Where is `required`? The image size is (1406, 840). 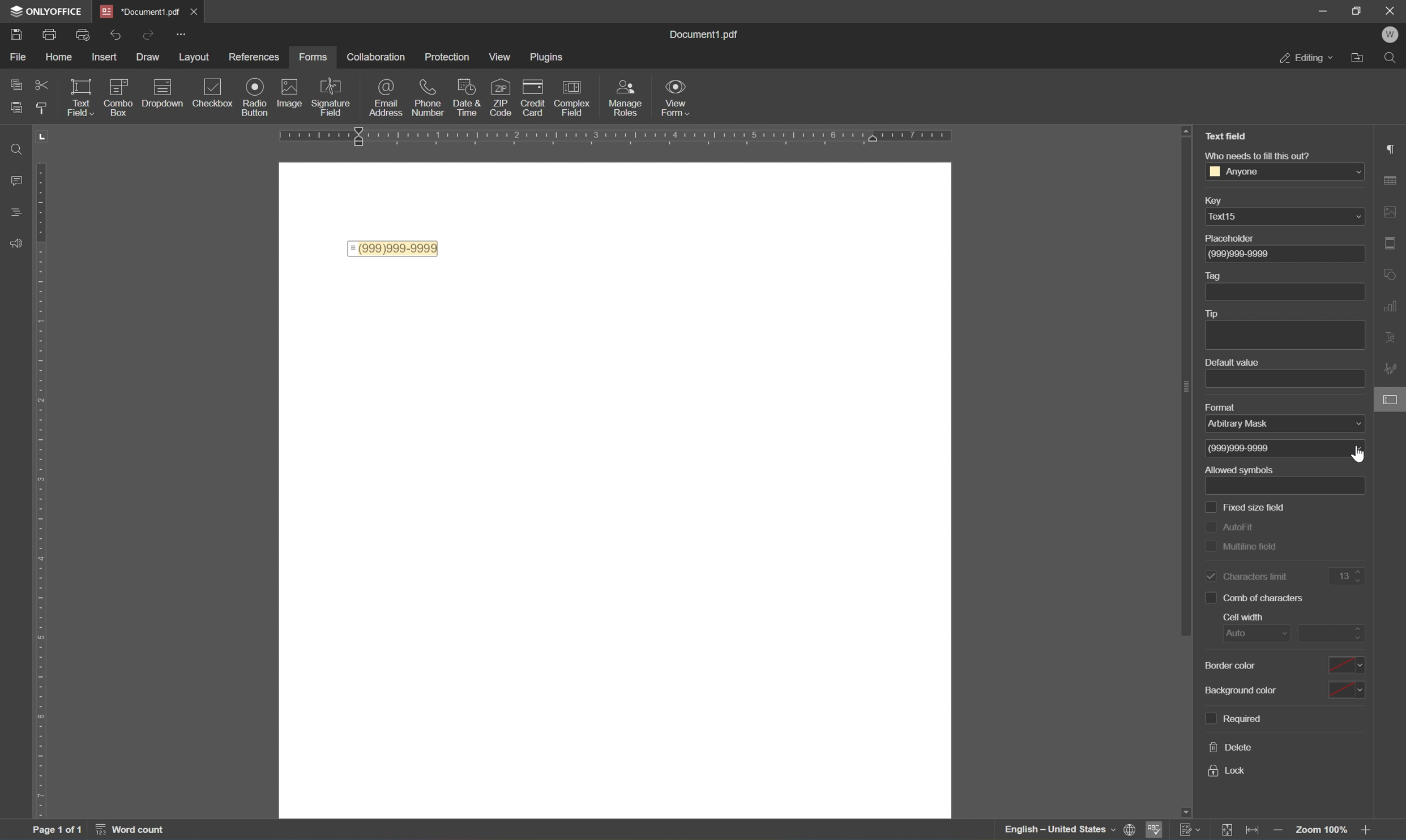
required is located at coordinates (1233, 719).